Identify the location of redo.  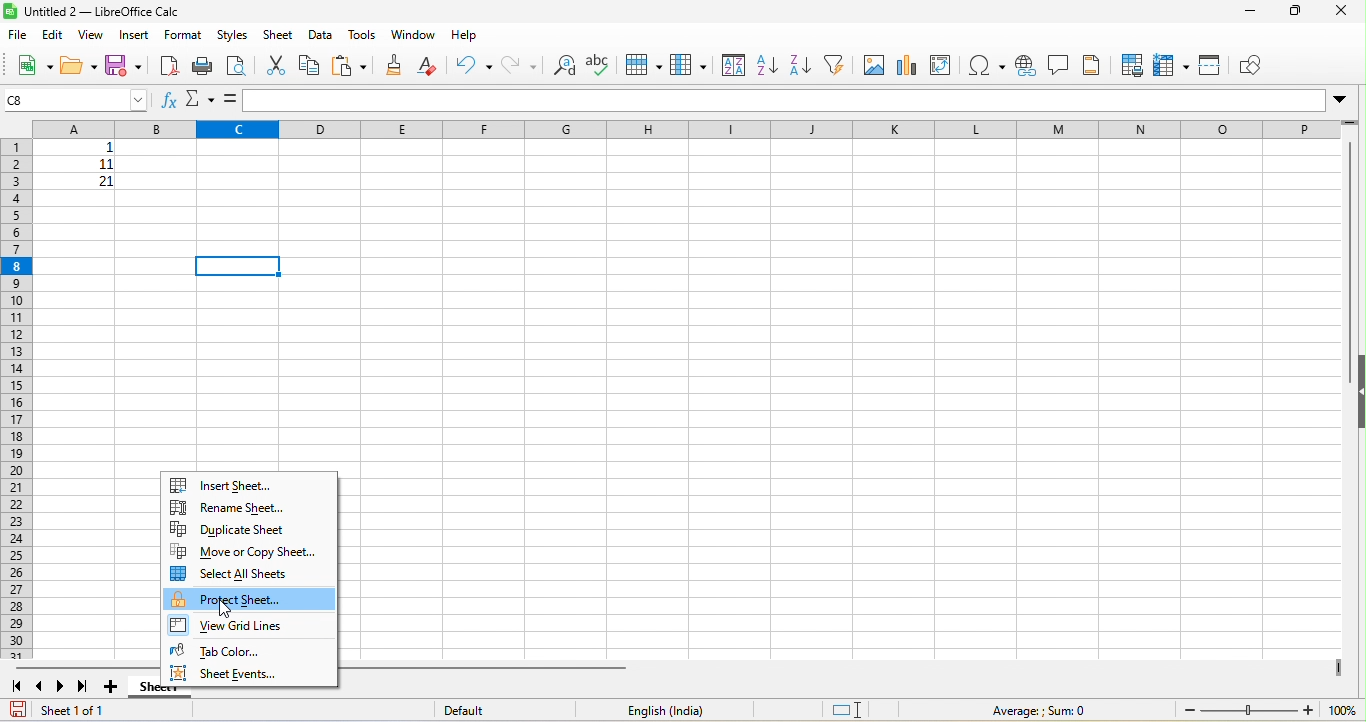
(517, 65).